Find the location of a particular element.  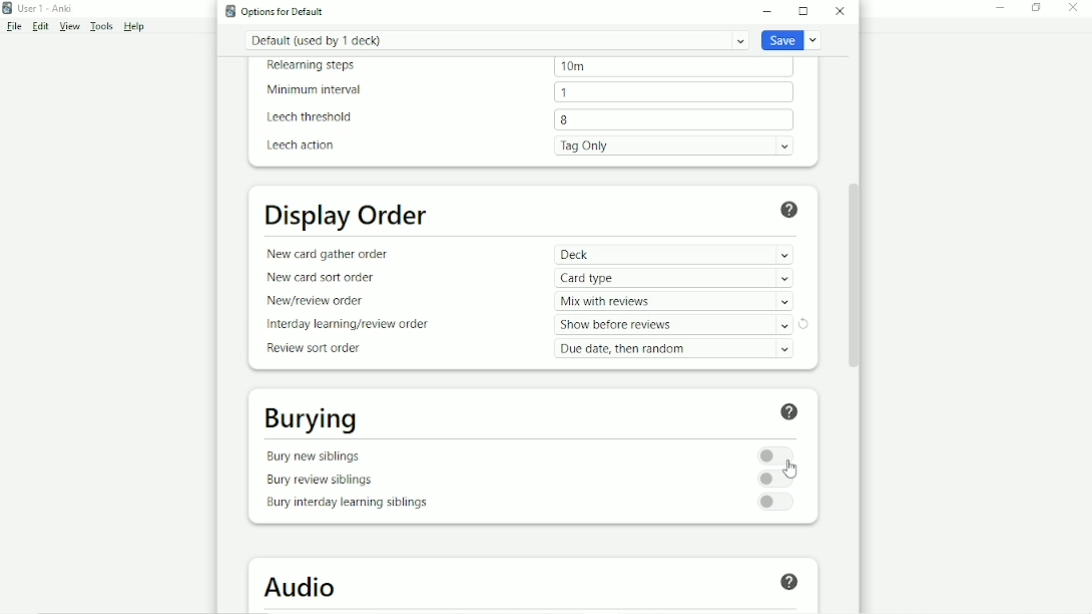

Default (used by 1 deck) is located at coordinates (496, 40).